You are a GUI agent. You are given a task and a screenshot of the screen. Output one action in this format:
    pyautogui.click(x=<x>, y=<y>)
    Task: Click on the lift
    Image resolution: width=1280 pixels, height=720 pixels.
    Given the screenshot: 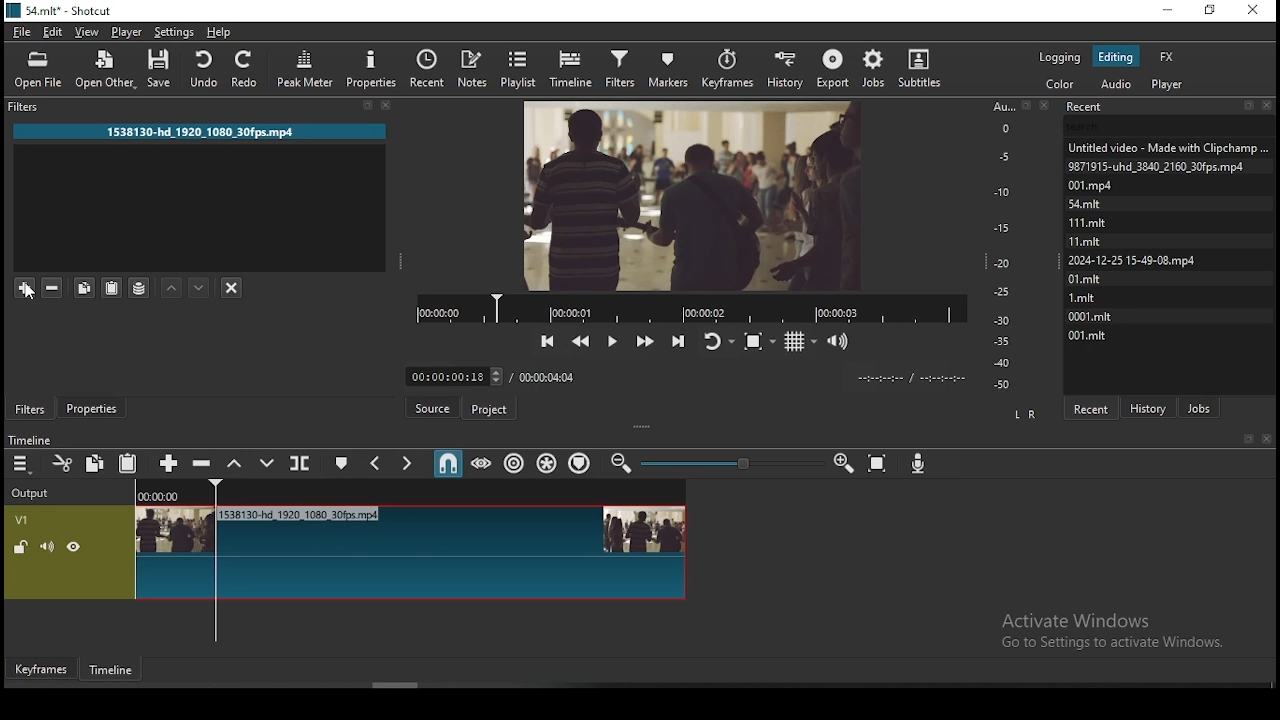 What is the action you would take?
    pyautogui.click(x=236, y=466)
    